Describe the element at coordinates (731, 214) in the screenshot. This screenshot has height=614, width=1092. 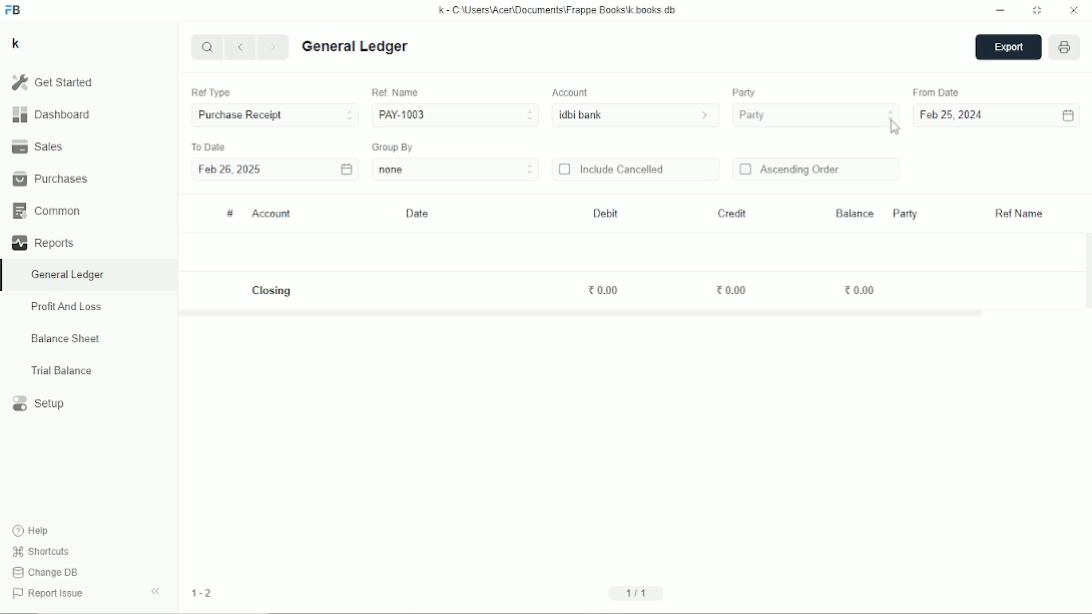
I see `Credit` at that location.